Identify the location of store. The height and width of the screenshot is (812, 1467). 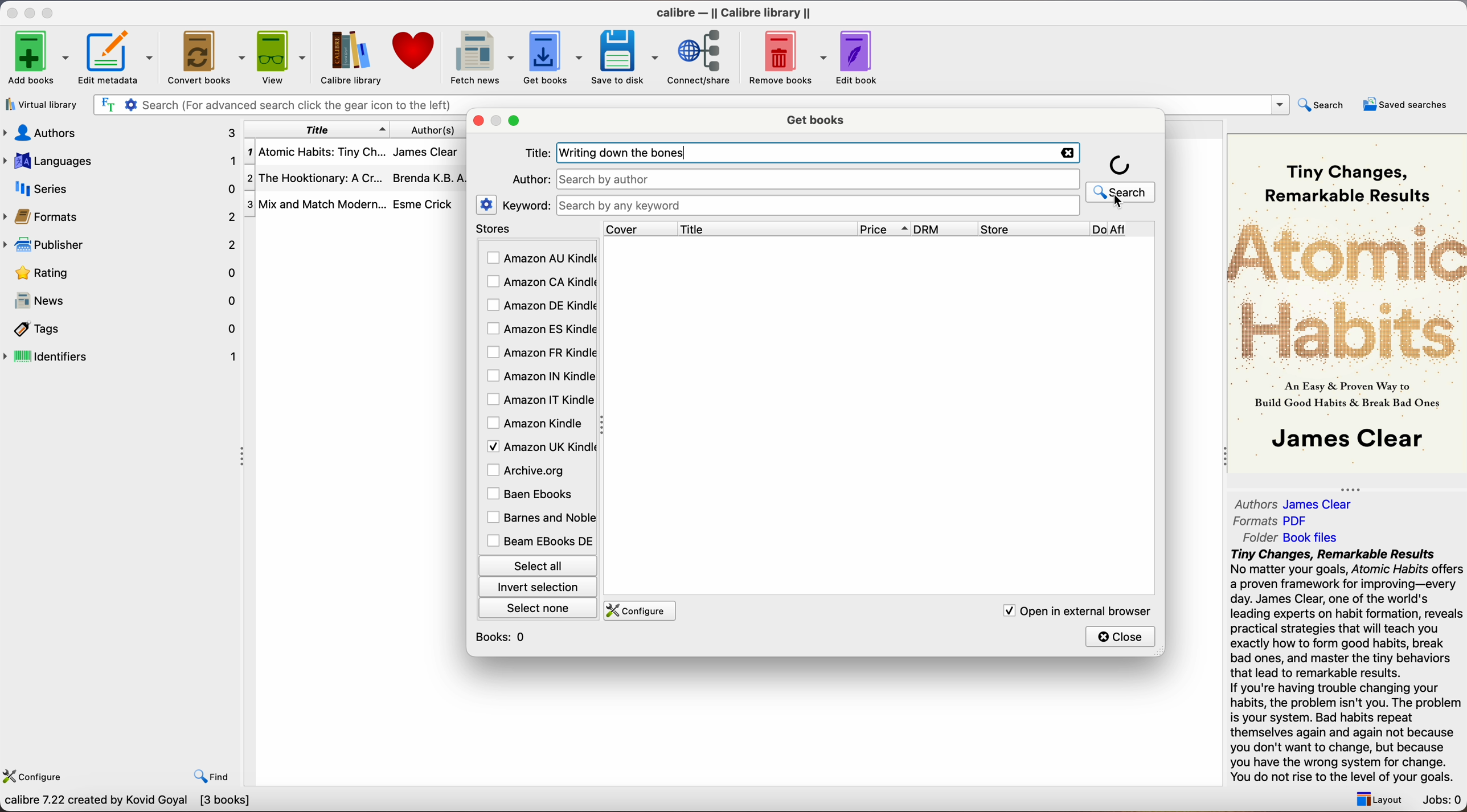
(1032, 229).